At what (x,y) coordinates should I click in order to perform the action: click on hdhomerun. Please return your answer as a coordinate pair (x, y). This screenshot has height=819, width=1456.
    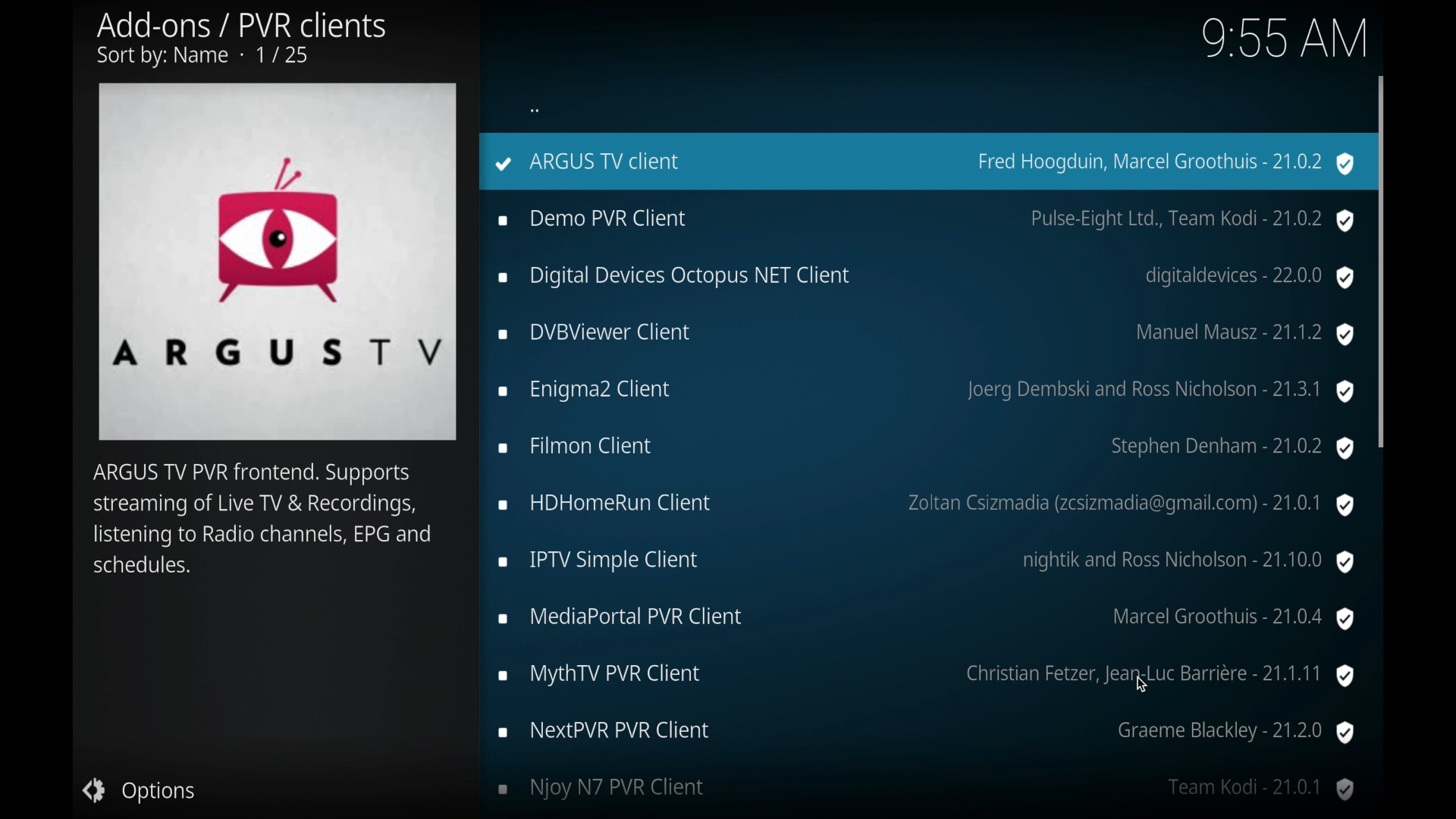
    Looking at the image, I should click on (928, 506).